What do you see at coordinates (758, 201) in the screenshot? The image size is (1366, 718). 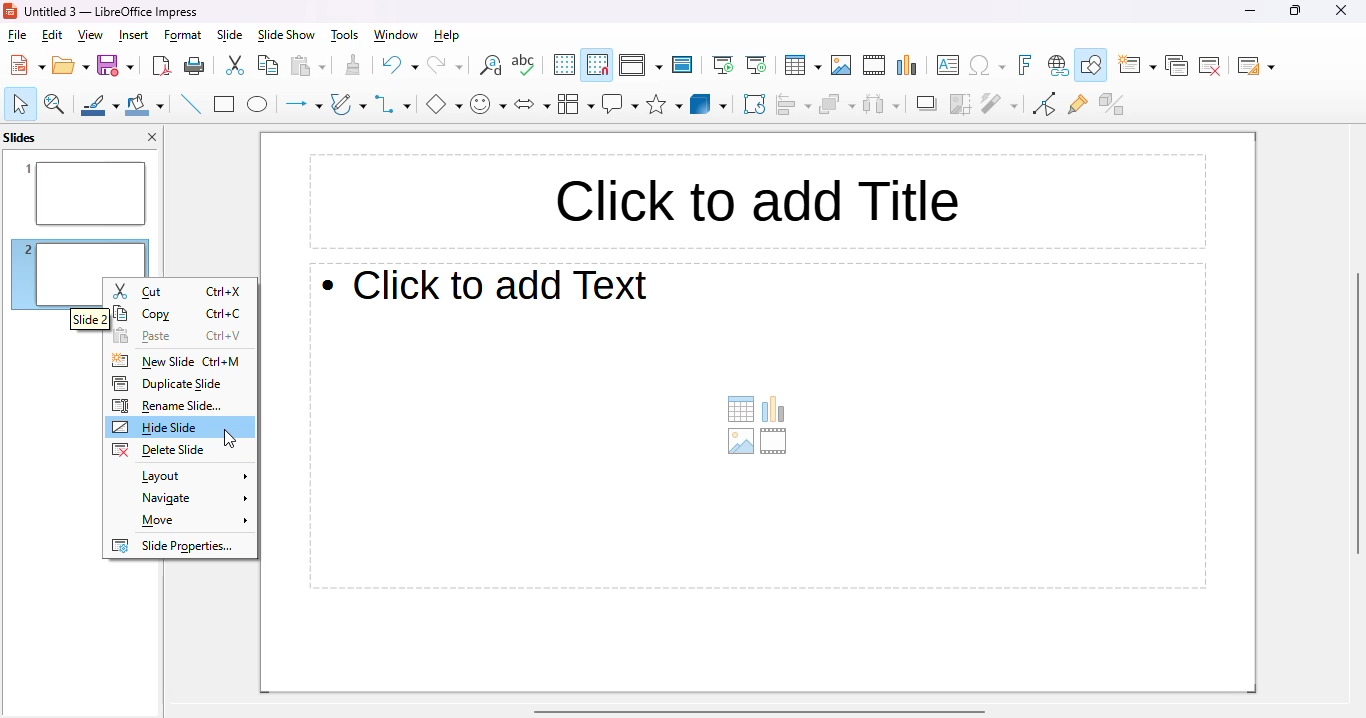 I see `click to add title` at bounding box center [758, 201].